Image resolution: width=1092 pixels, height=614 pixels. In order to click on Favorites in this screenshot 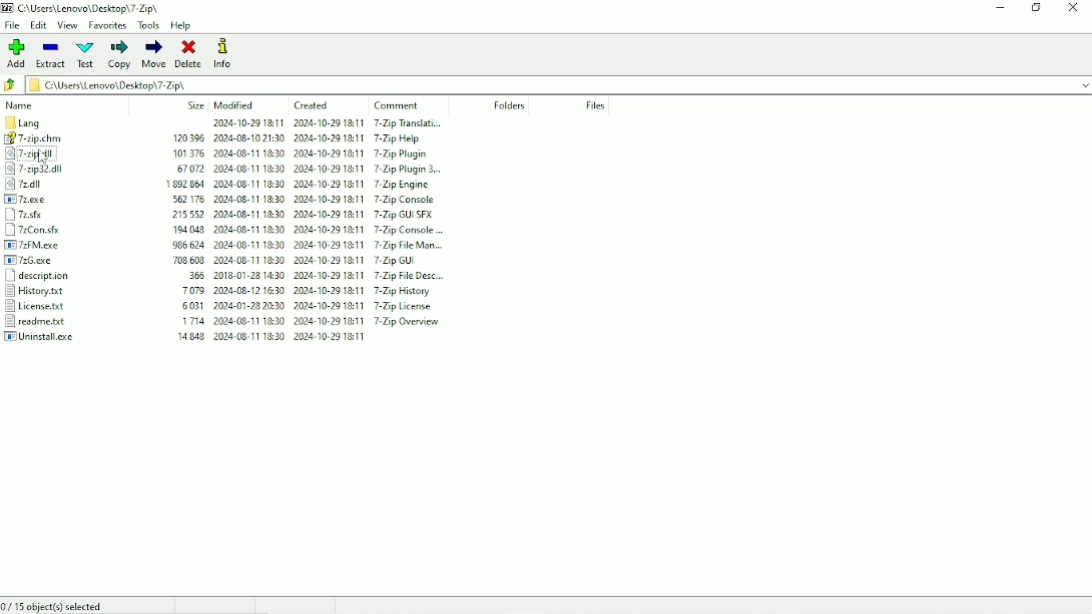, I will do `click(107, 25)`.